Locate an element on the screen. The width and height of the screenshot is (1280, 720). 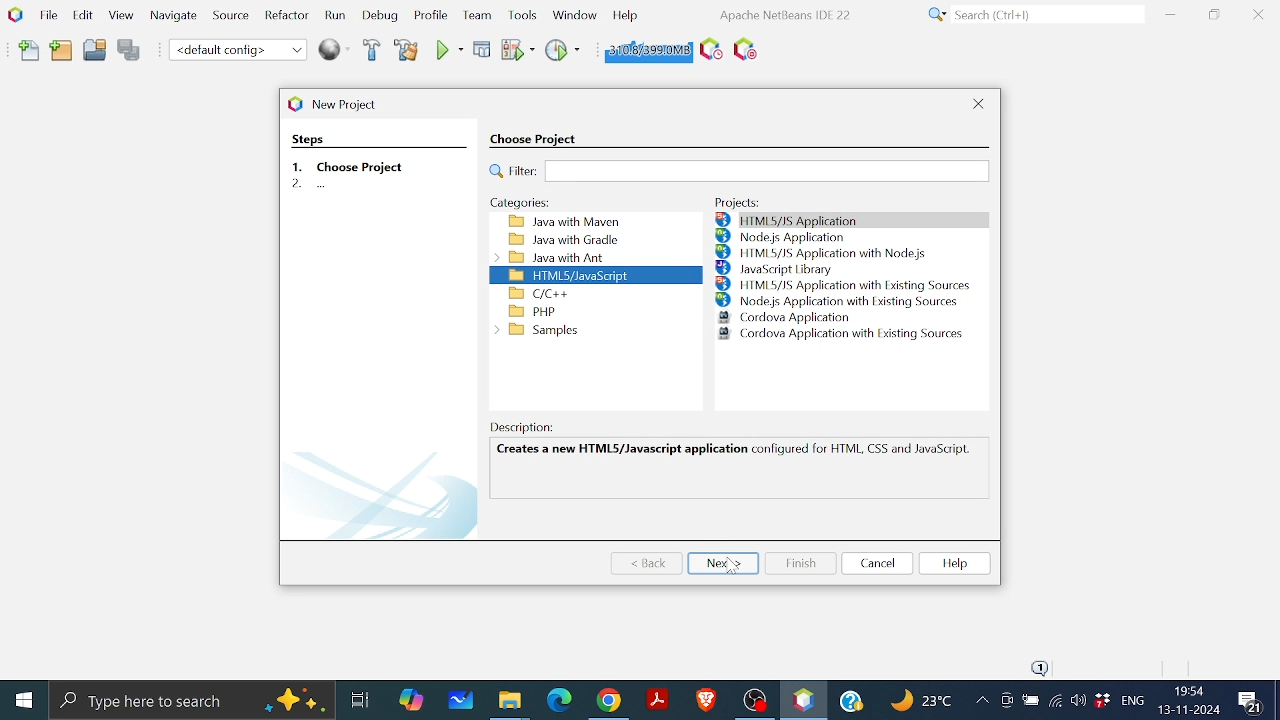
windows is located at coordinates (574, 13).